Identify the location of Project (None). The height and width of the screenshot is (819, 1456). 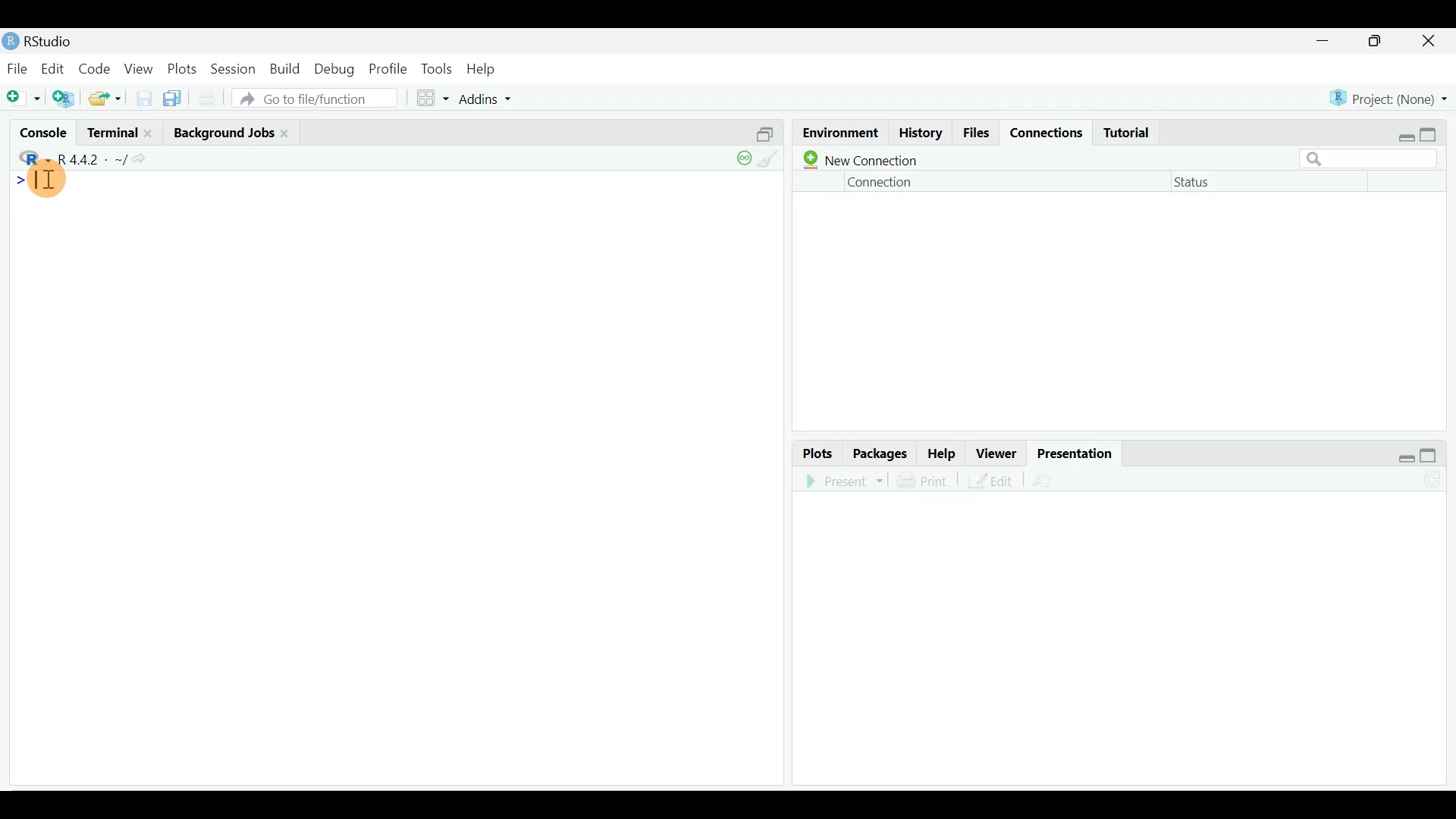
(1389, 93).